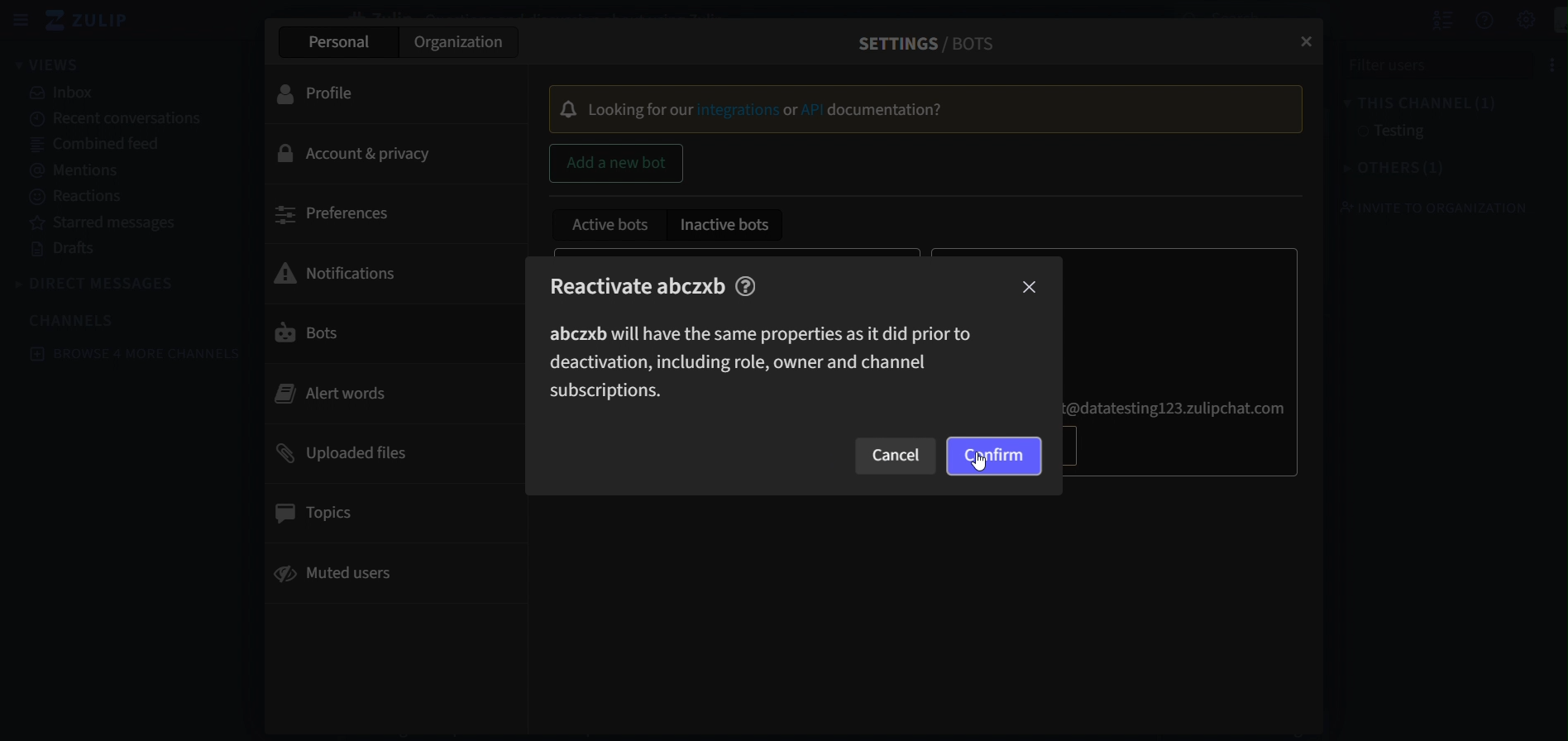 The image size is (1568, 741). Describe the element at coordinates (95, 142) in the screenshot. I see `combined feed` at that location.